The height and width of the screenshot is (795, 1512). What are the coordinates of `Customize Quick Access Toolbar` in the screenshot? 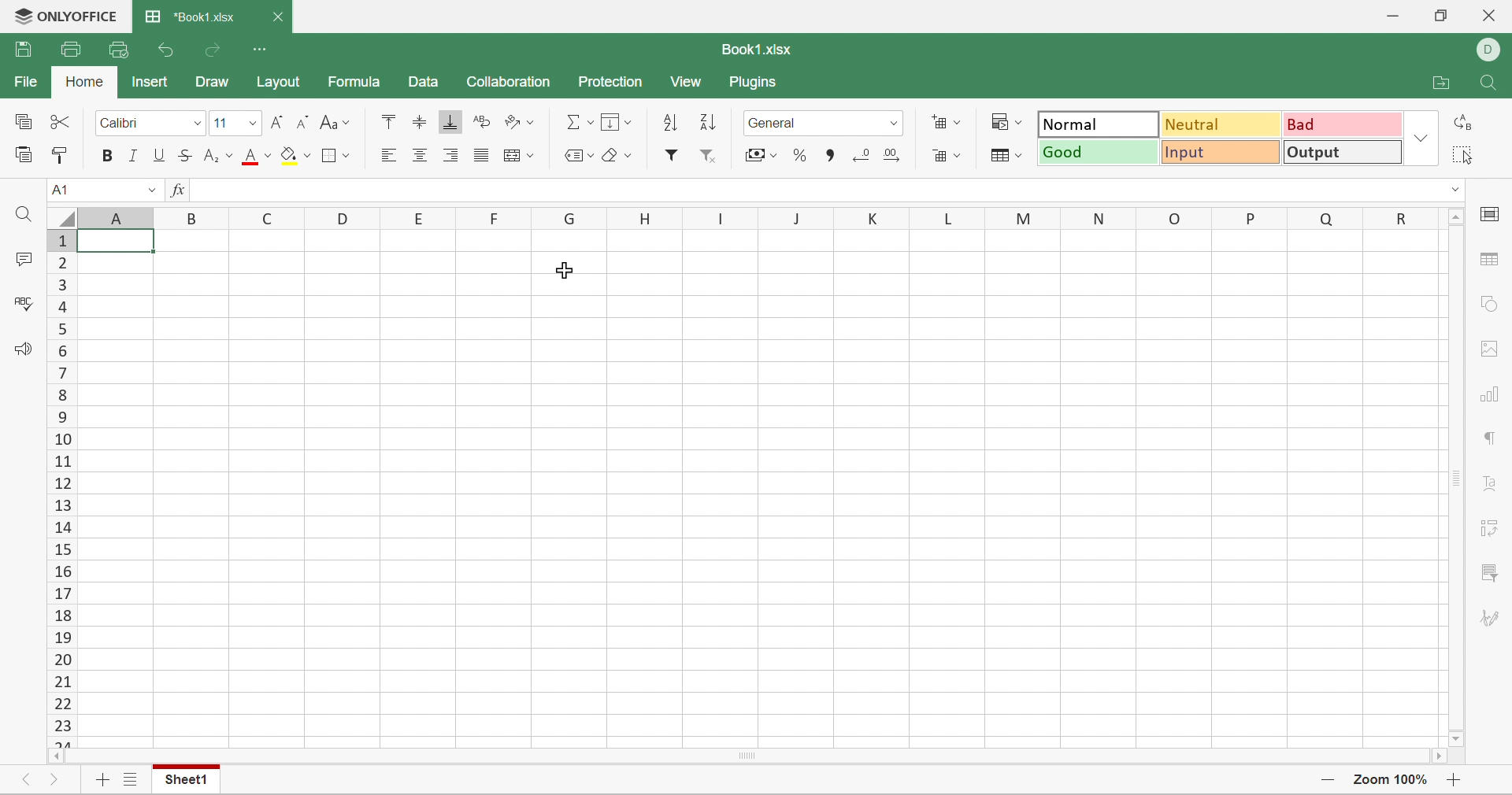 It's located at (262, 50).